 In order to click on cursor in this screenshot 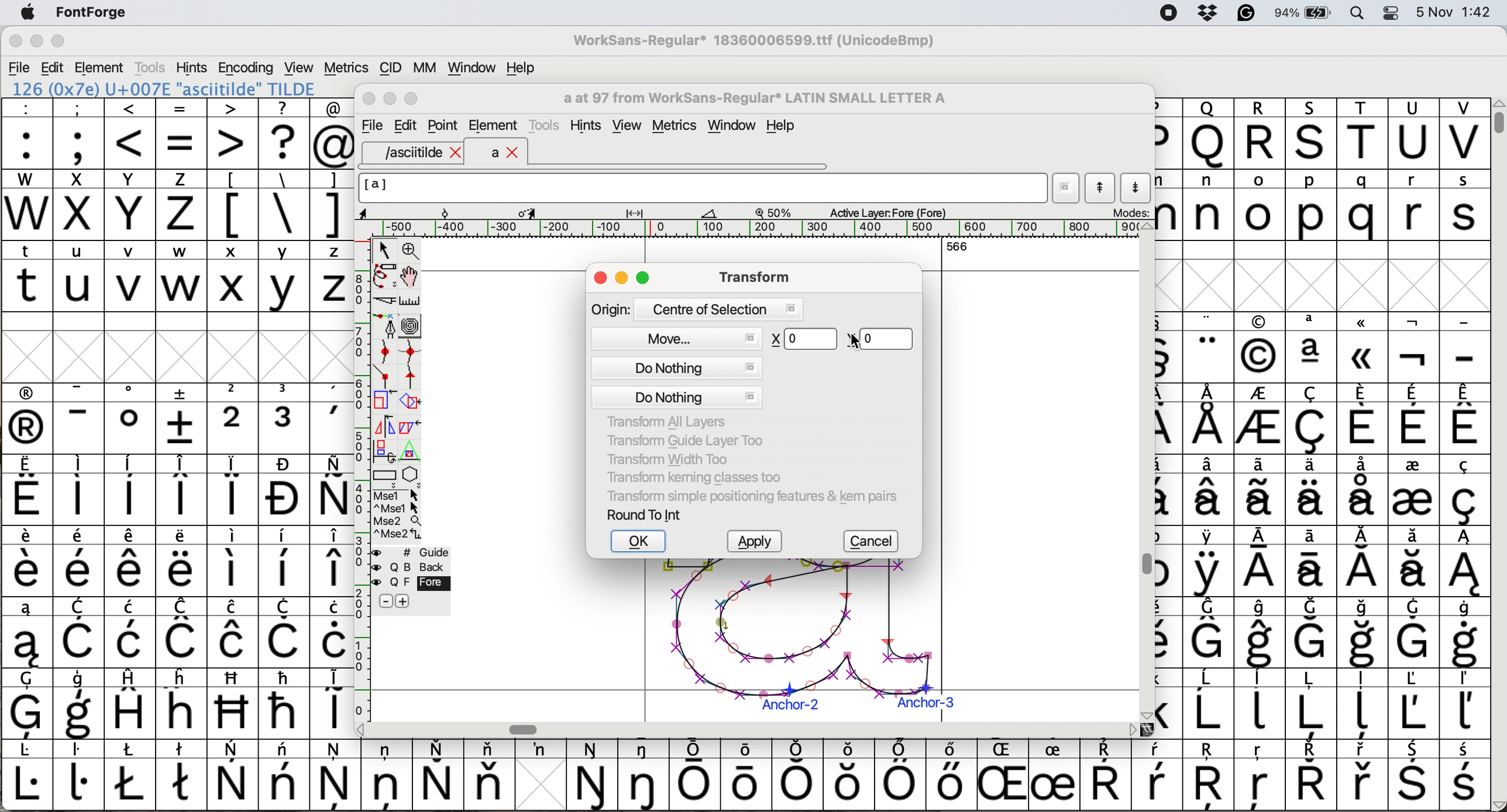, I will do `click(853, 341)`.